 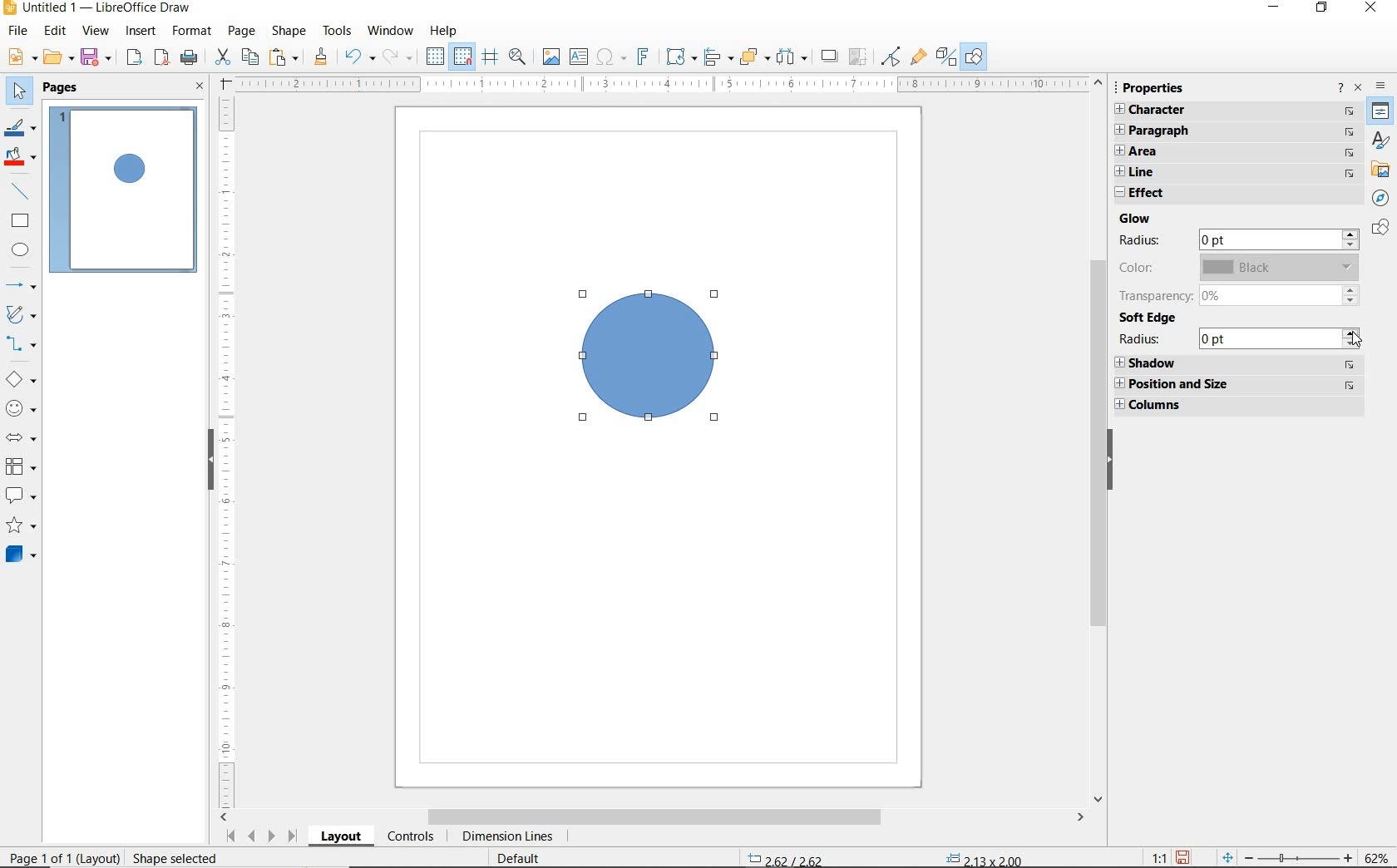 I want to click on CONTROLS, so click(x=412, y=837).